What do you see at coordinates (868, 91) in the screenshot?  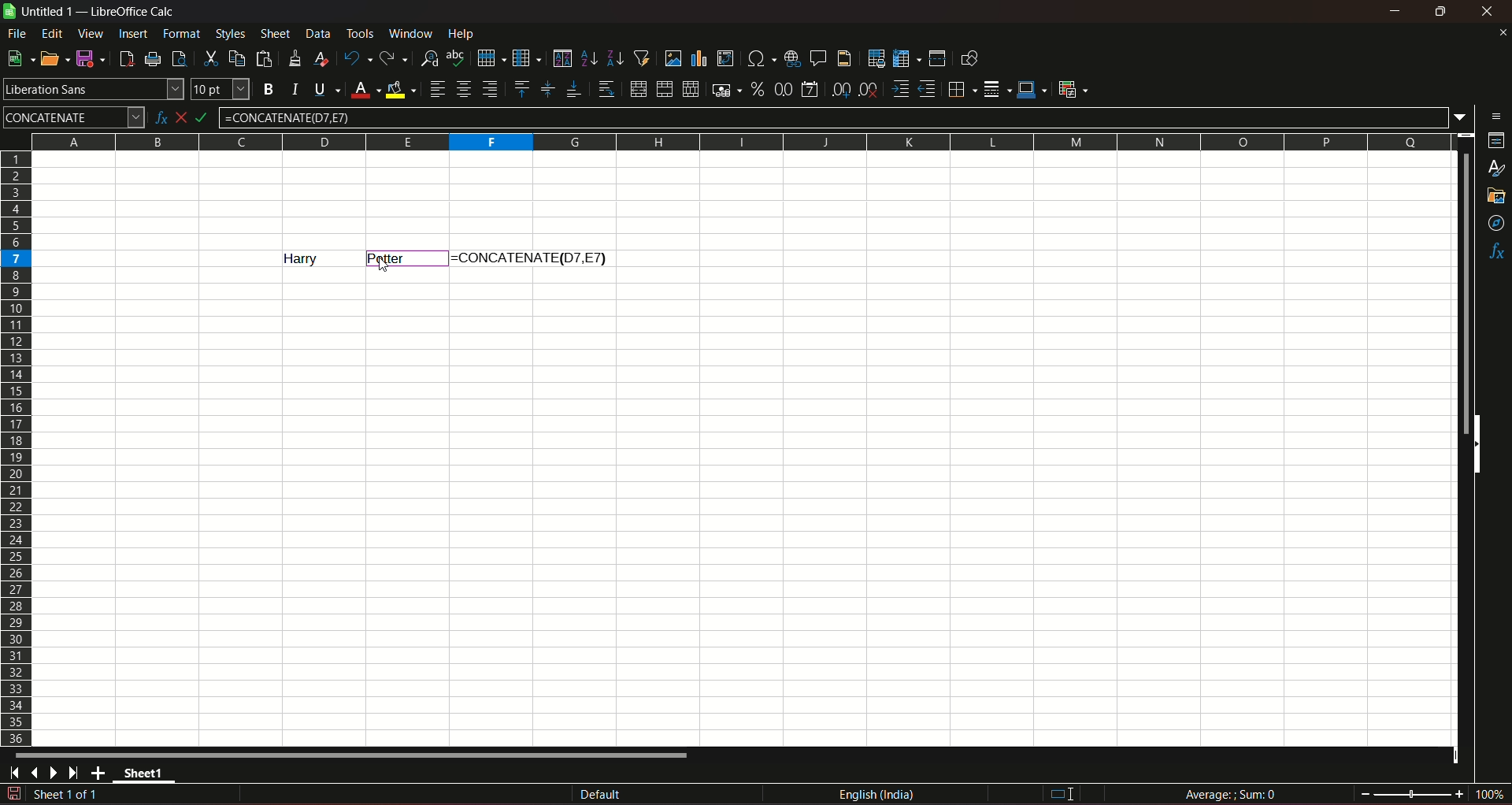 I see `delete decimal place` at bounding box center [868, 91].